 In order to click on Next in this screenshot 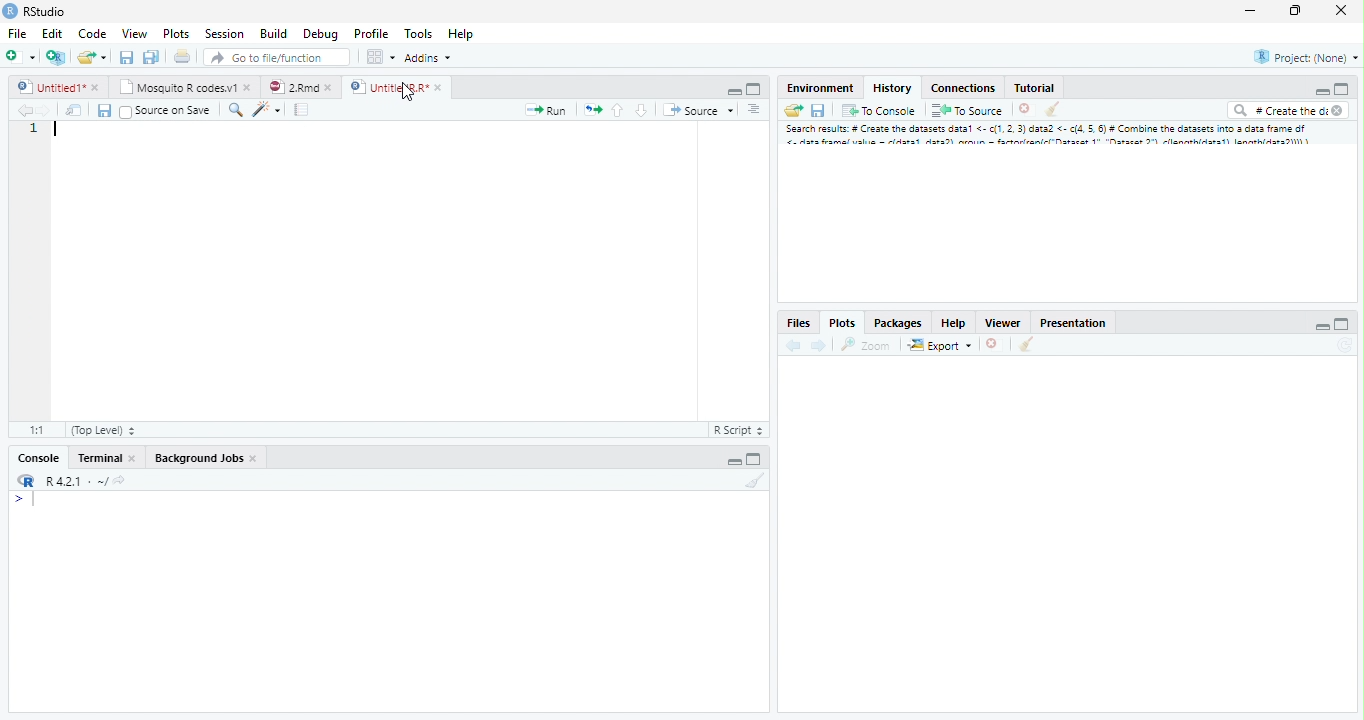, I will do `click(818, 347)`.